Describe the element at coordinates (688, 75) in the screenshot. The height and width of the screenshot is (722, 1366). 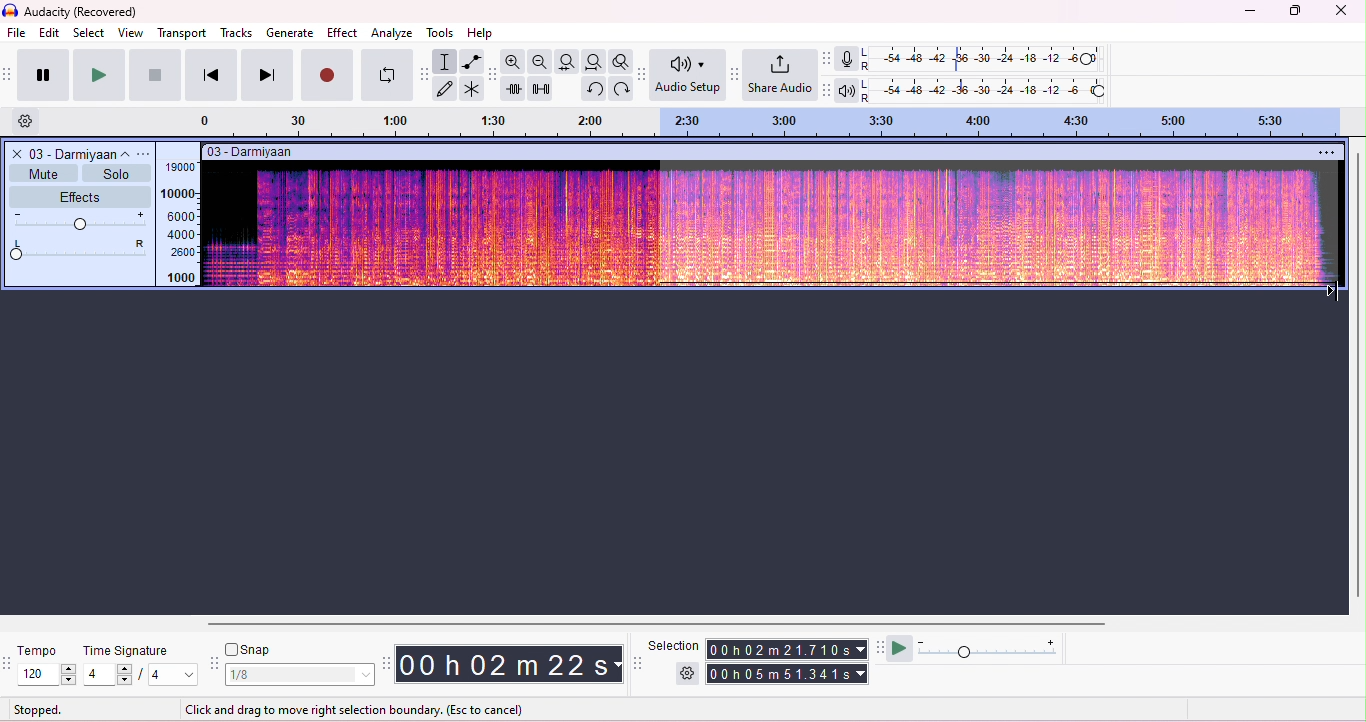
I see `audio setup` at that location.